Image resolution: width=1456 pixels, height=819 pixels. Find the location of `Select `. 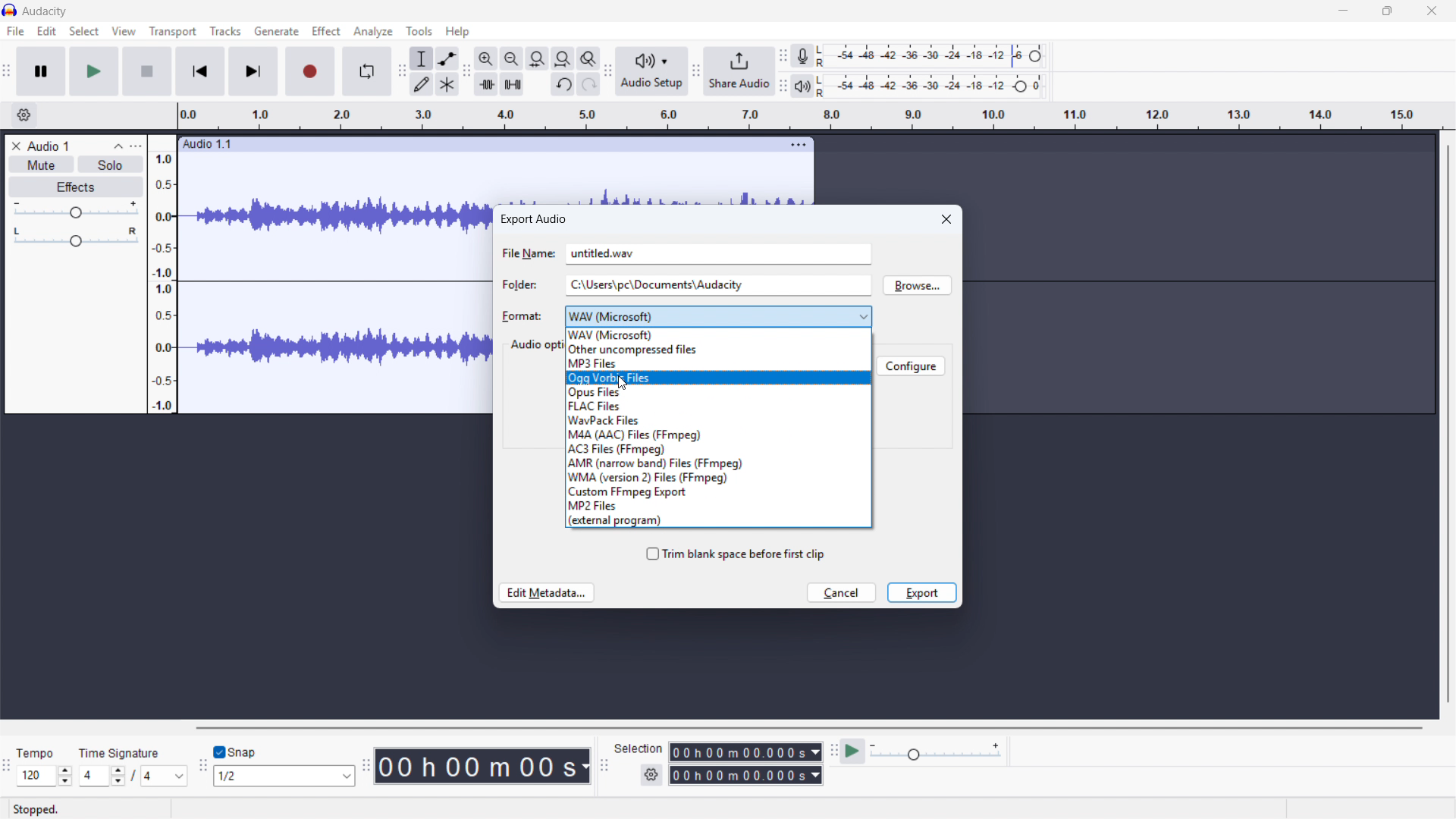

Select  is located at coordinates (84, 32).